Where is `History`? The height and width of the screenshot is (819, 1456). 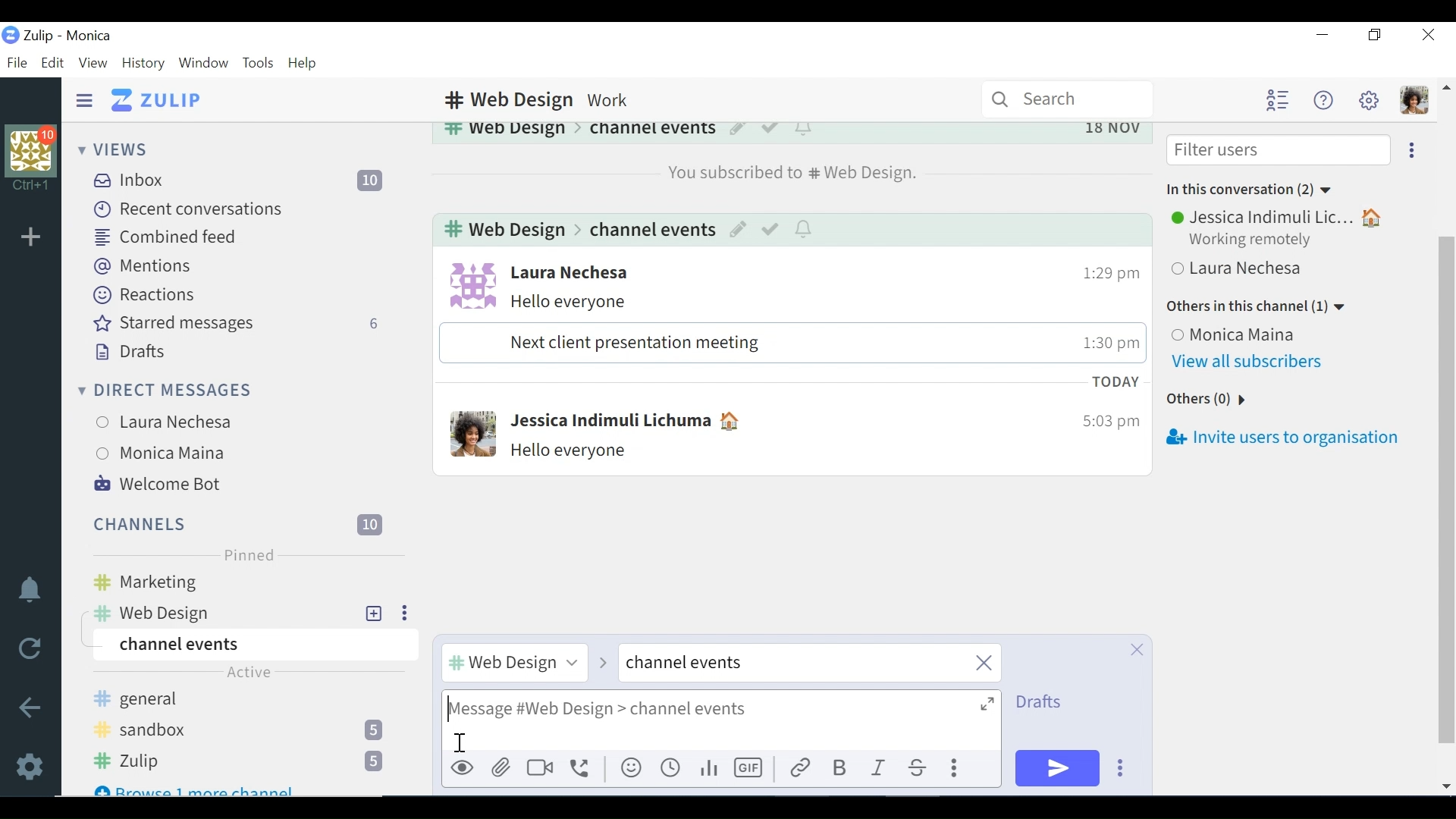 History is located at coordinates (143, 63).